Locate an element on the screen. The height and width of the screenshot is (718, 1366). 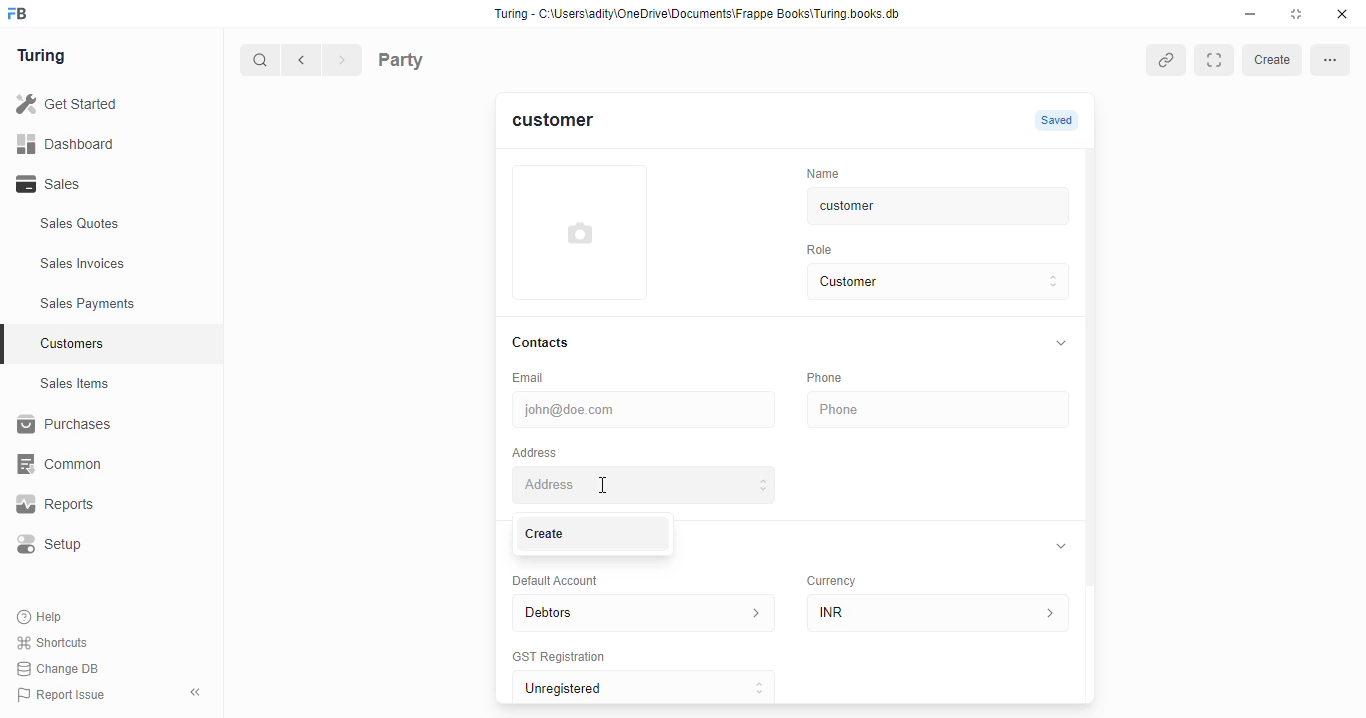
collapse is located at coordinates (1059, 344).